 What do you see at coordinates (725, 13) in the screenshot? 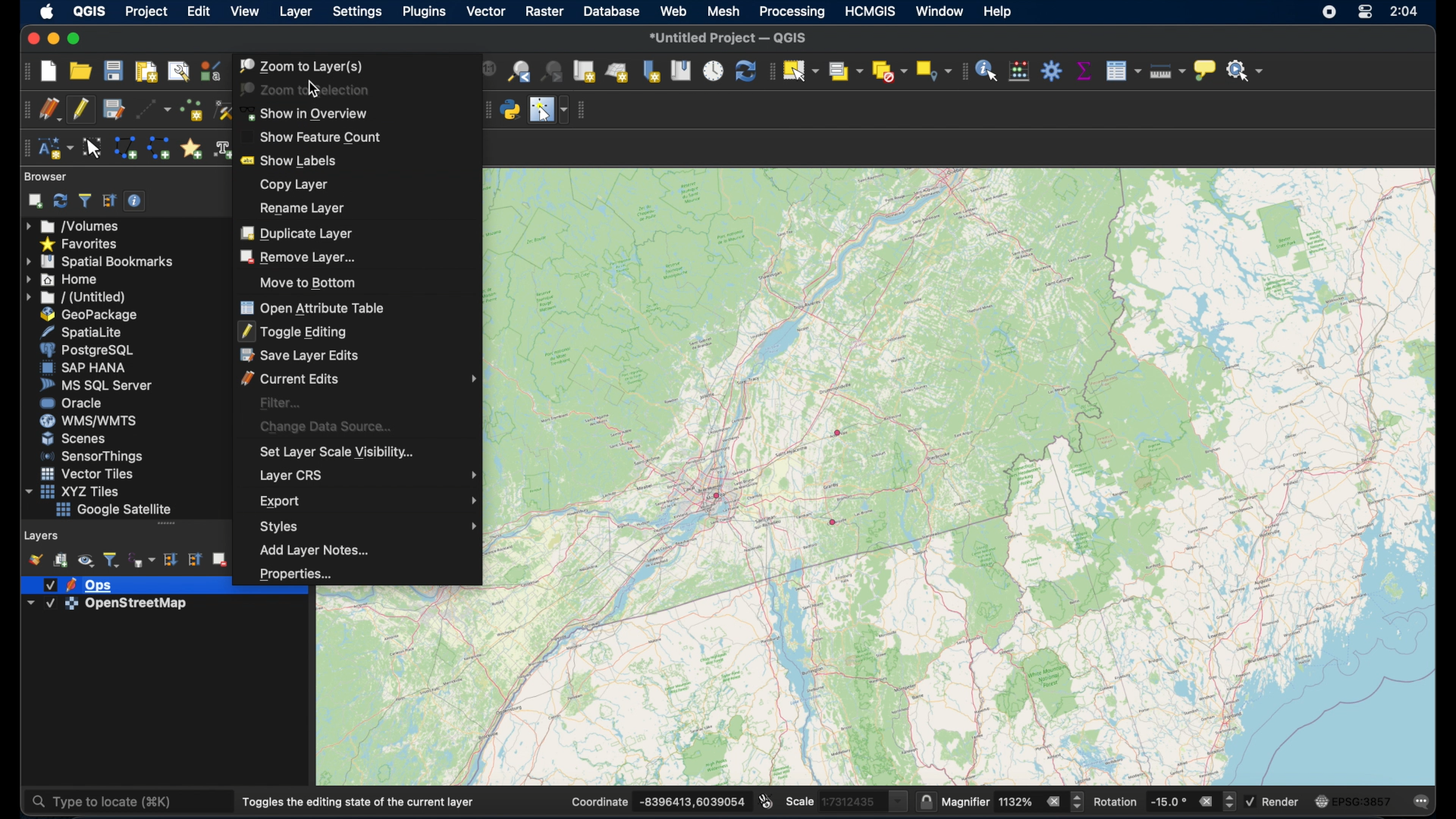
I see `mesh` at bounding box center [725, 13].